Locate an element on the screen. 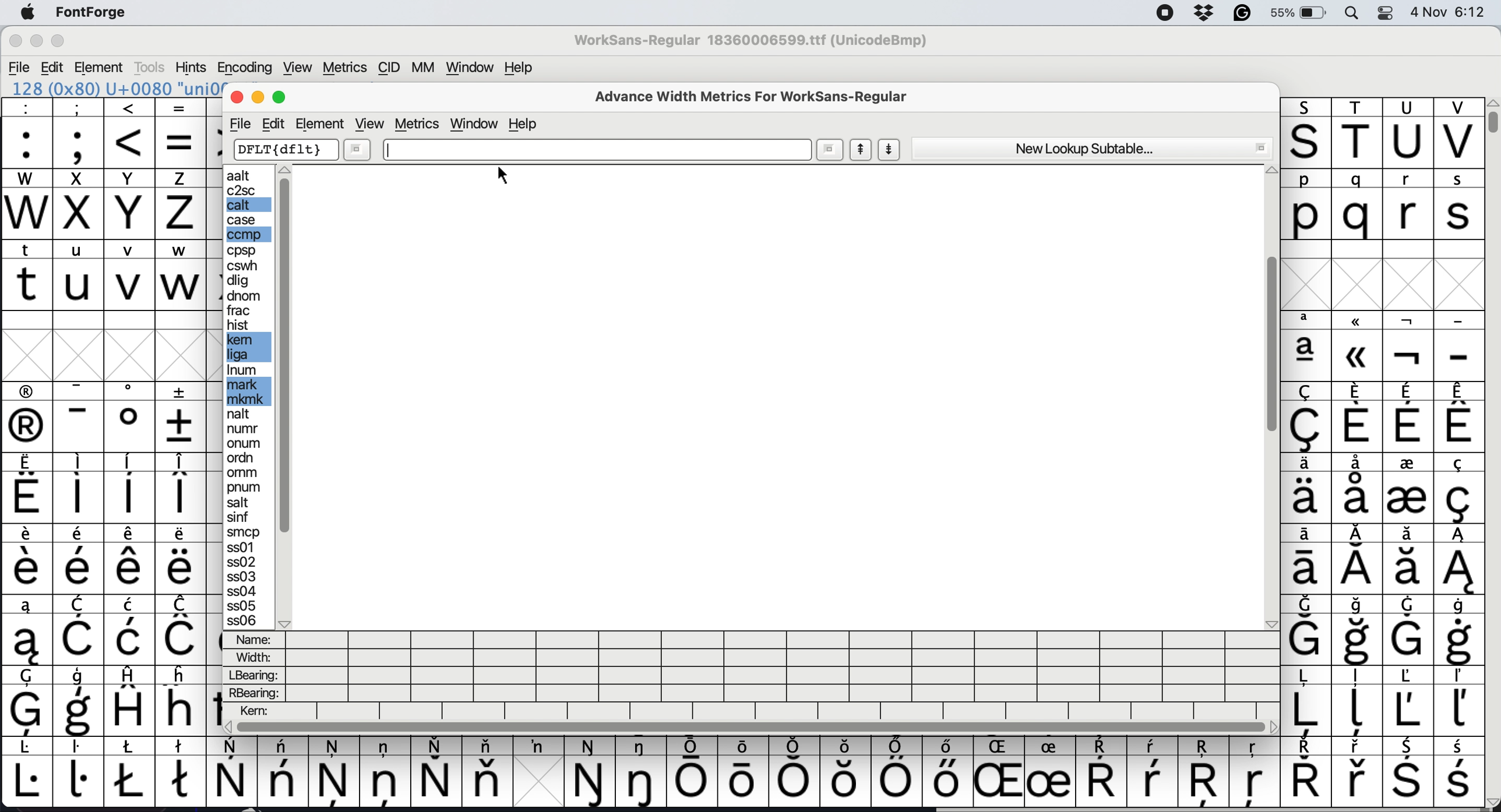 This screenshot has width=1501, height=812. dflt is located at coordinates (286, 150).